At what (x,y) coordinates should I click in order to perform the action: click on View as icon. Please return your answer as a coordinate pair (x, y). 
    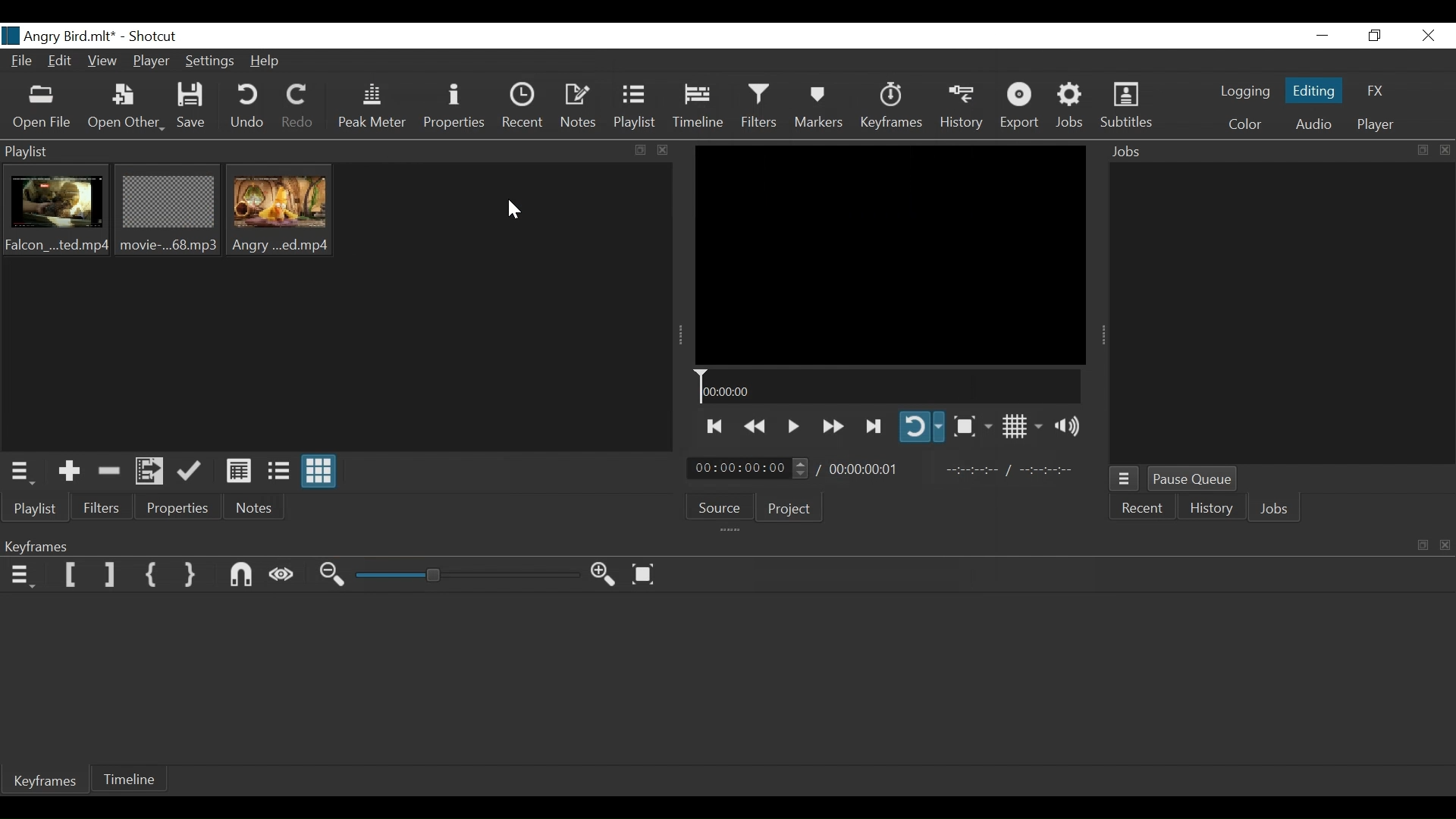
    Looking at the image, I should click on (319, 472).